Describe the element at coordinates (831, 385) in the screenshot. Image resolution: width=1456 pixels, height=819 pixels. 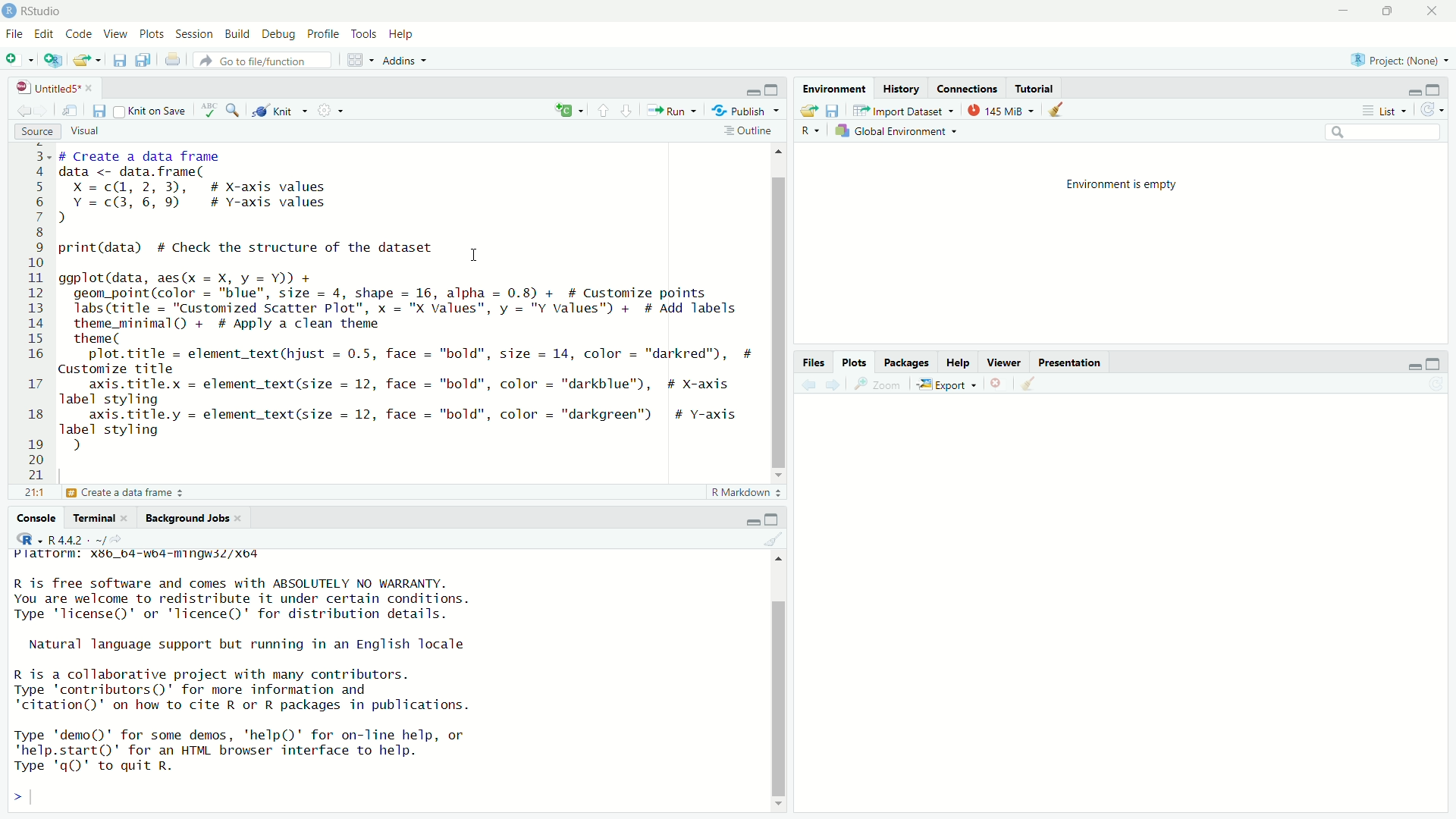
I see `Forward` at that location.